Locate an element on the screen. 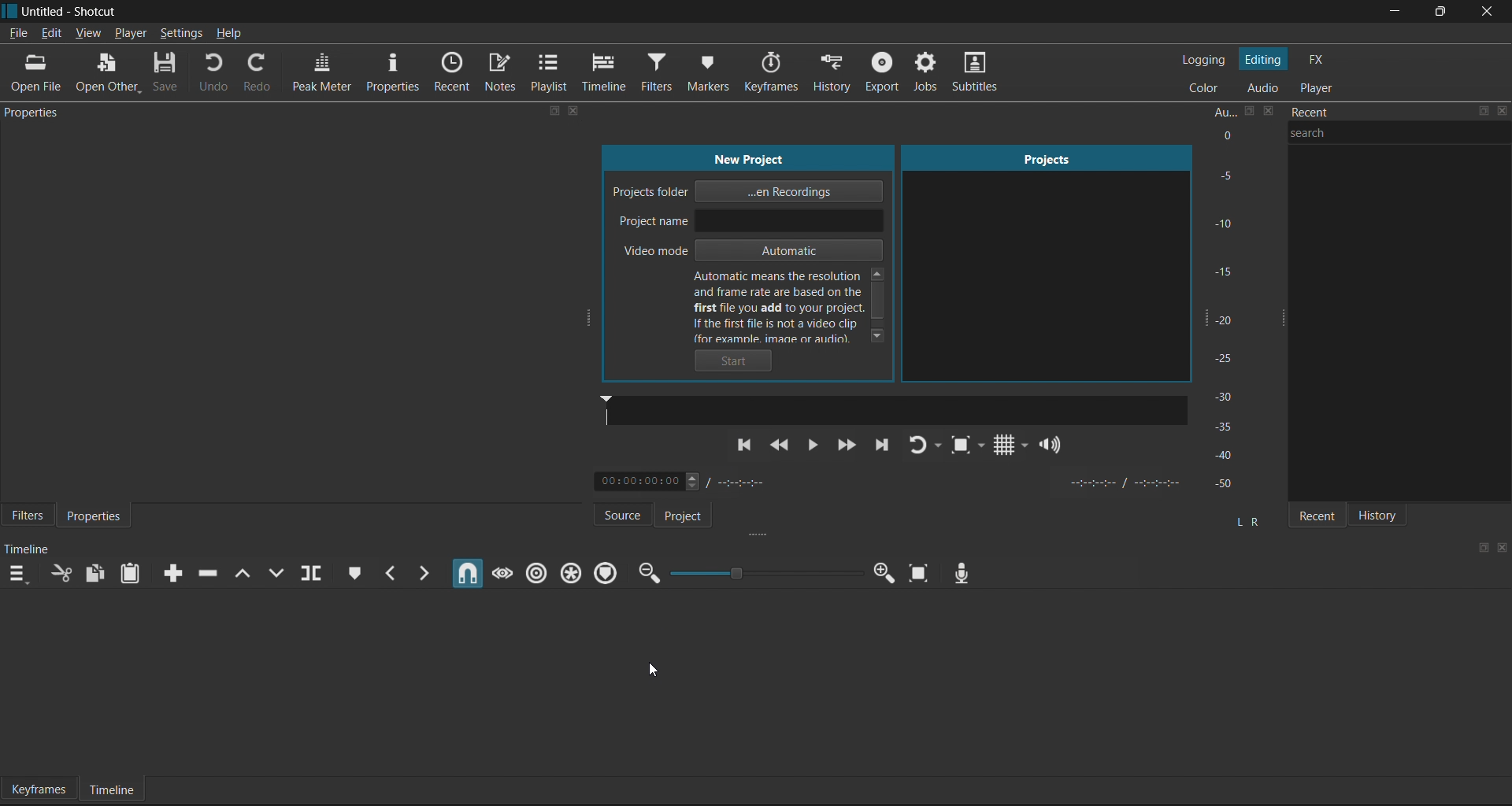  Next marker is located at coordinates (424, 571).